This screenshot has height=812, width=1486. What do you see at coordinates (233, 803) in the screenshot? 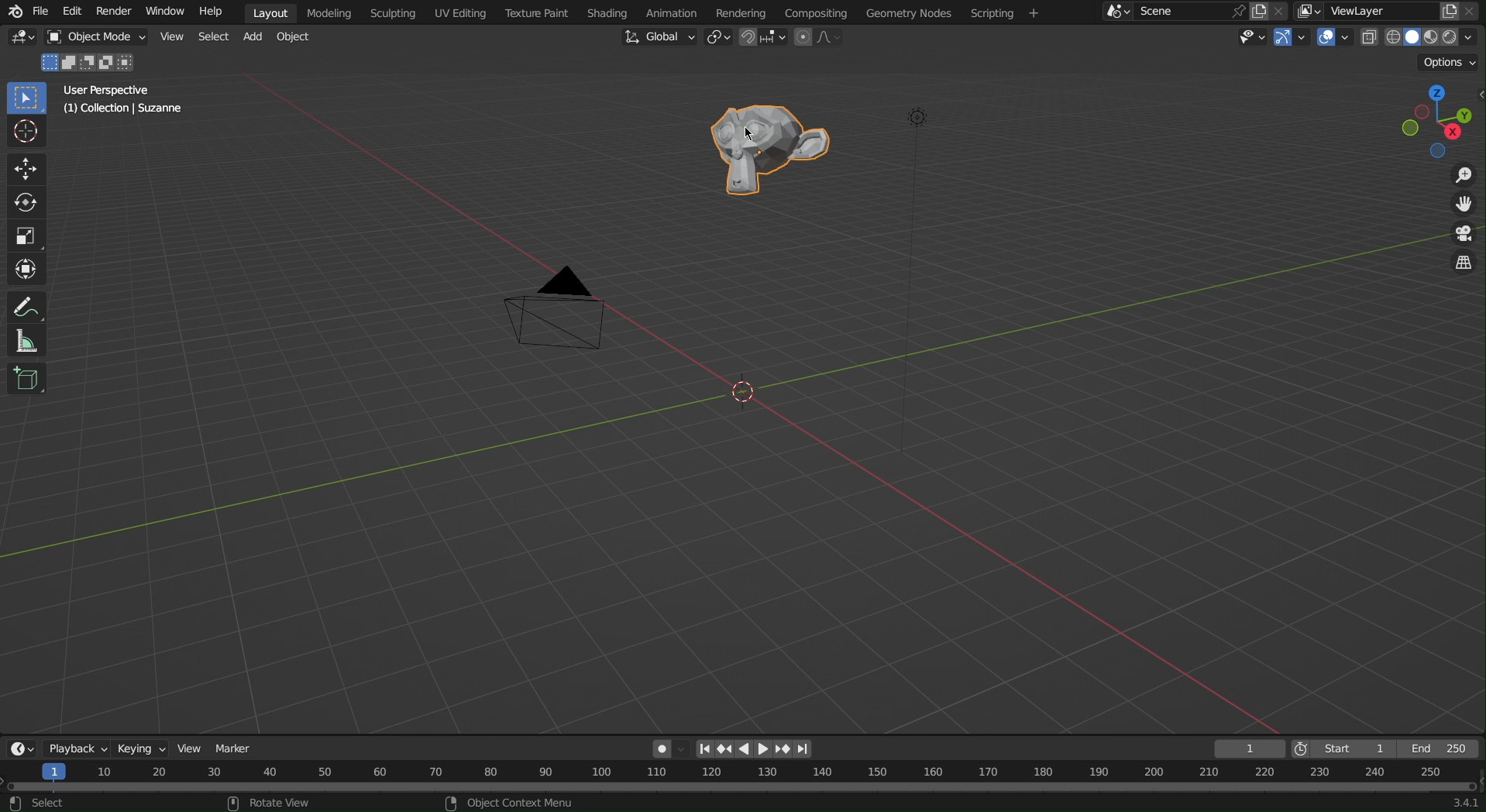
I see `icon` at bounding box center [233, 803].